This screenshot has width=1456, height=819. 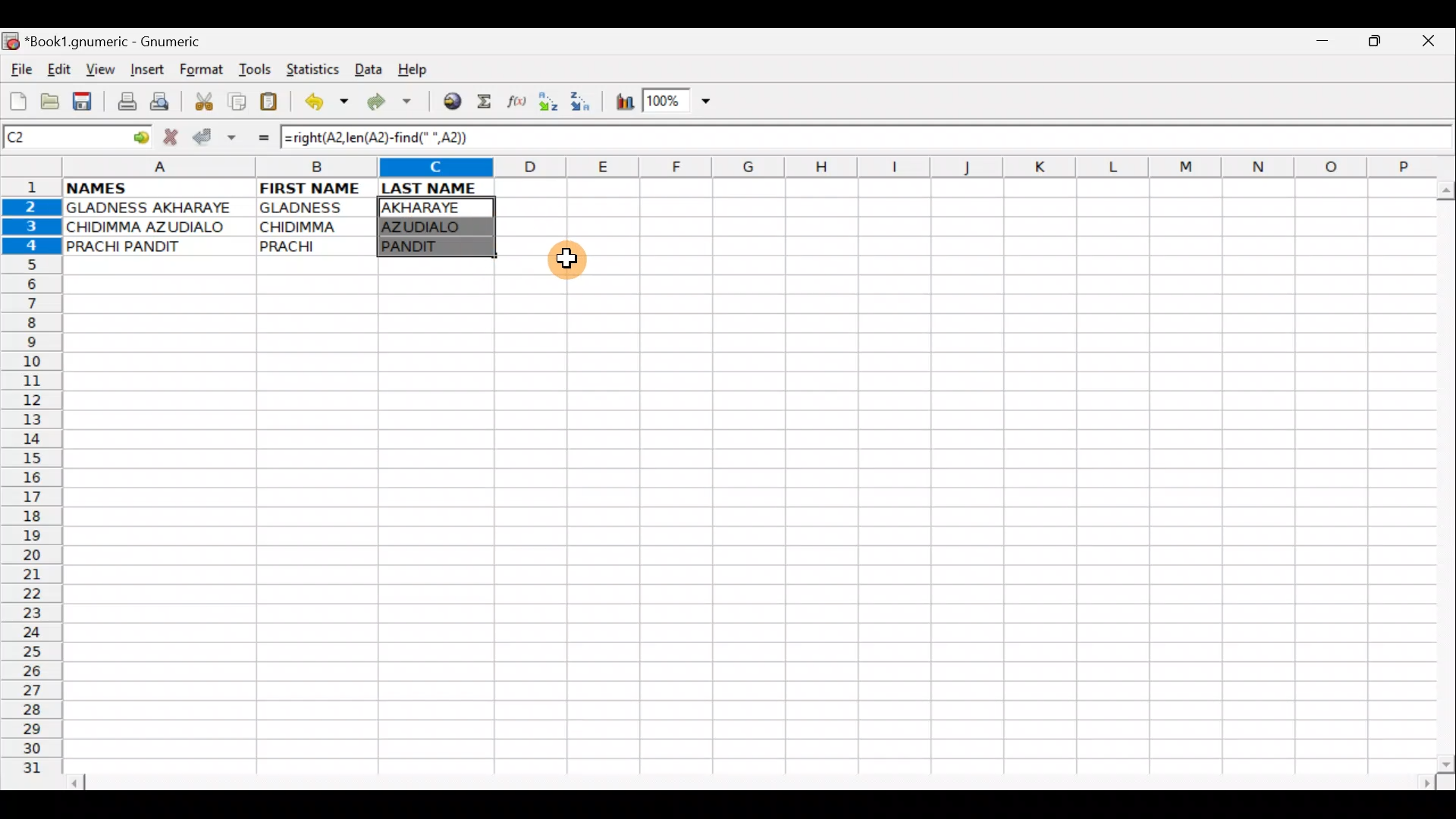 What do you see at coordinates (741, 168) in the screenshot?
I see `Columns` at bounding box center [741, 168].